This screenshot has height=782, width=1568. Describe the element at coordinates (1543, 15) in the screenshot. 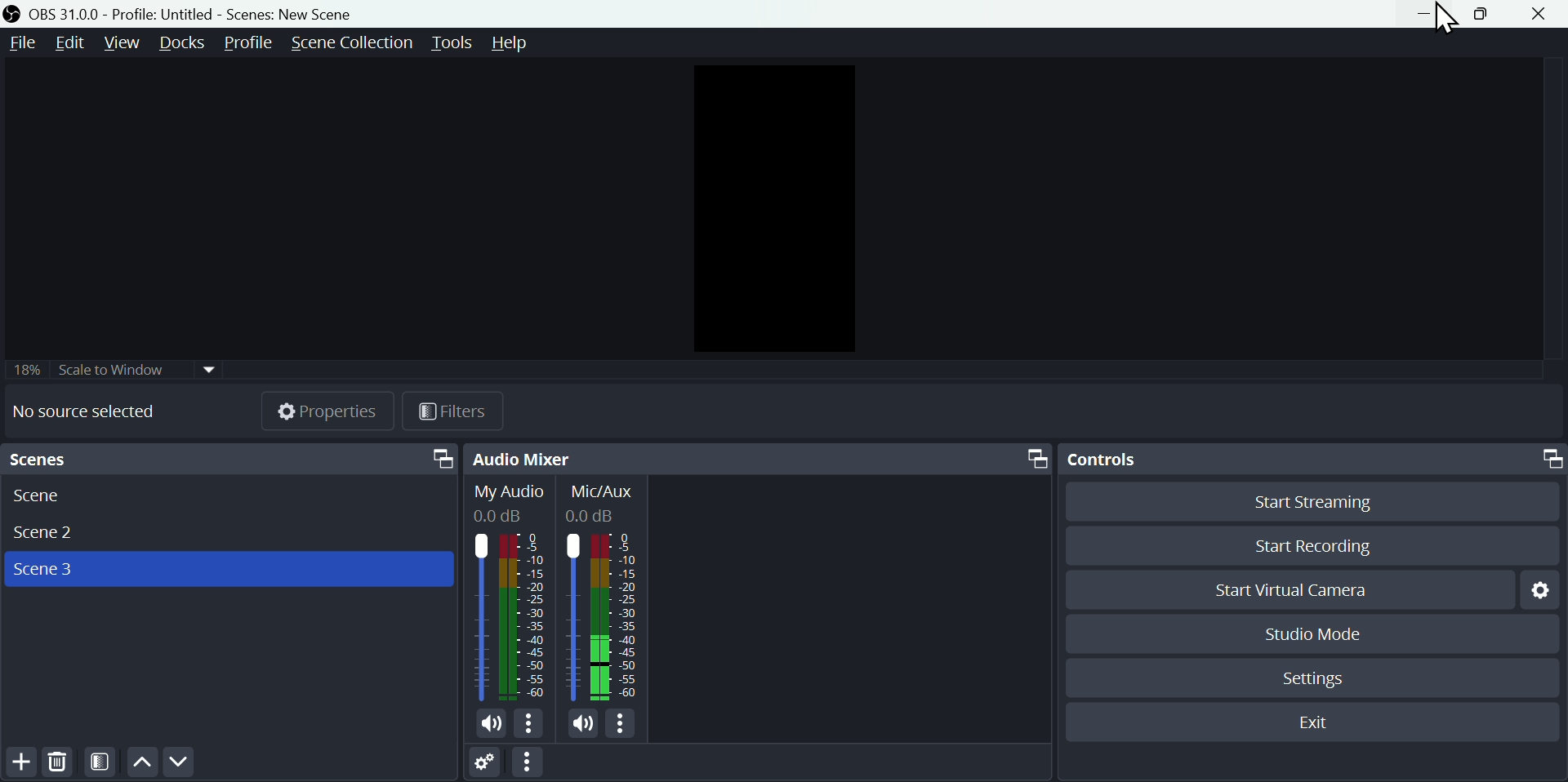

I see `Close` at that location.